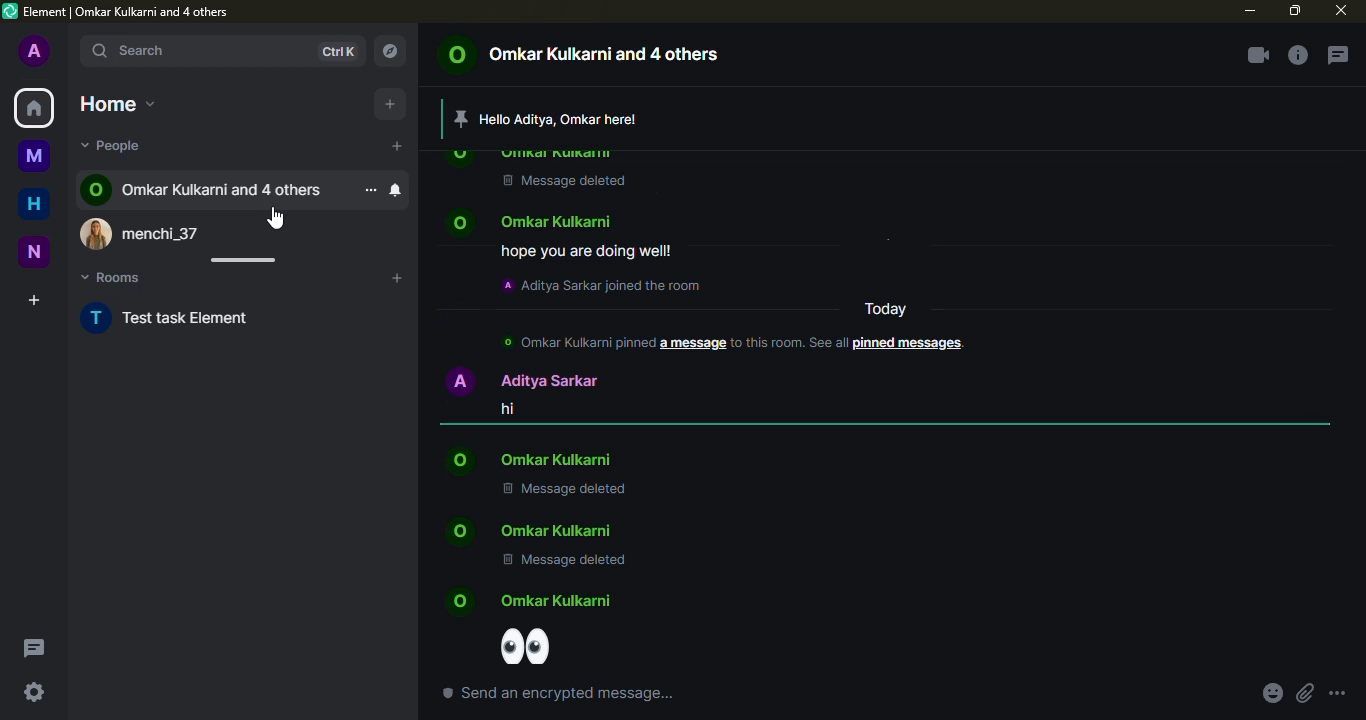 The height and width of the screenshot is (720, 1366). What do you see at coordinates (370, 189) in the screenshot?
I see `more` at bounding box center [370, 189].